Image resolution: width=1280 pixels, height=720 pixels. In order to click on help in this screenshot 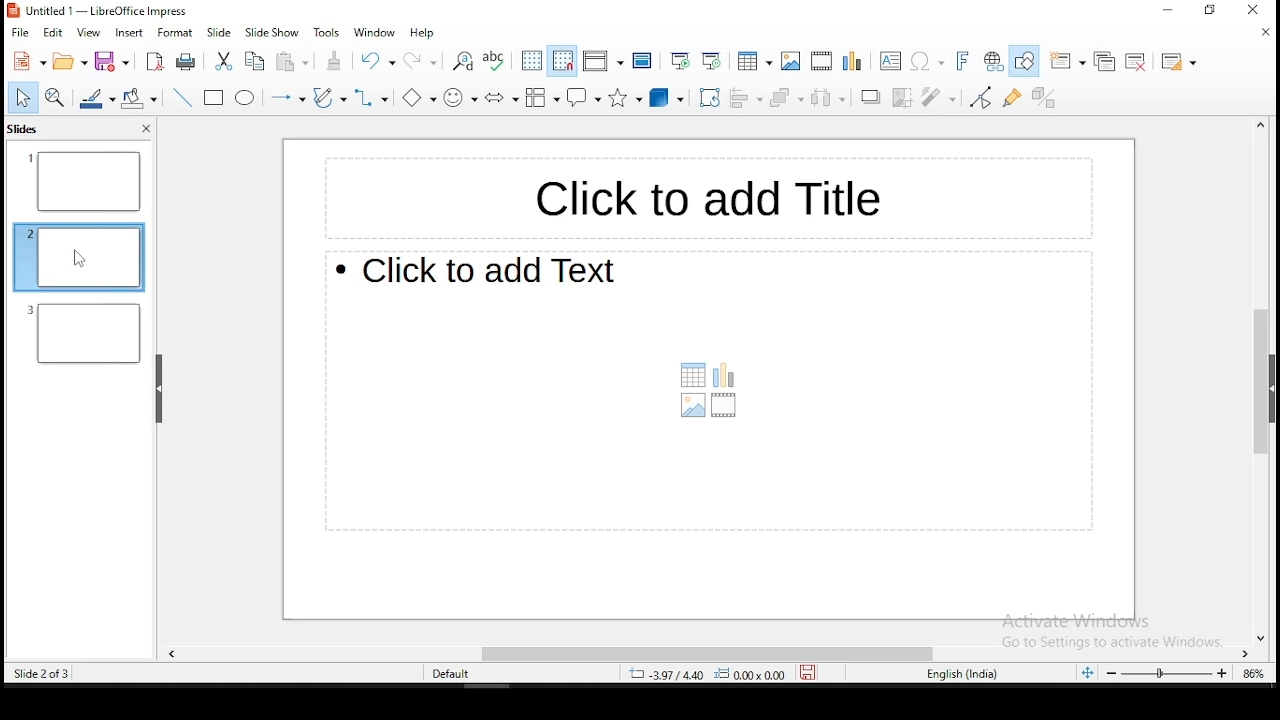, I will do `click(420, 33)`.